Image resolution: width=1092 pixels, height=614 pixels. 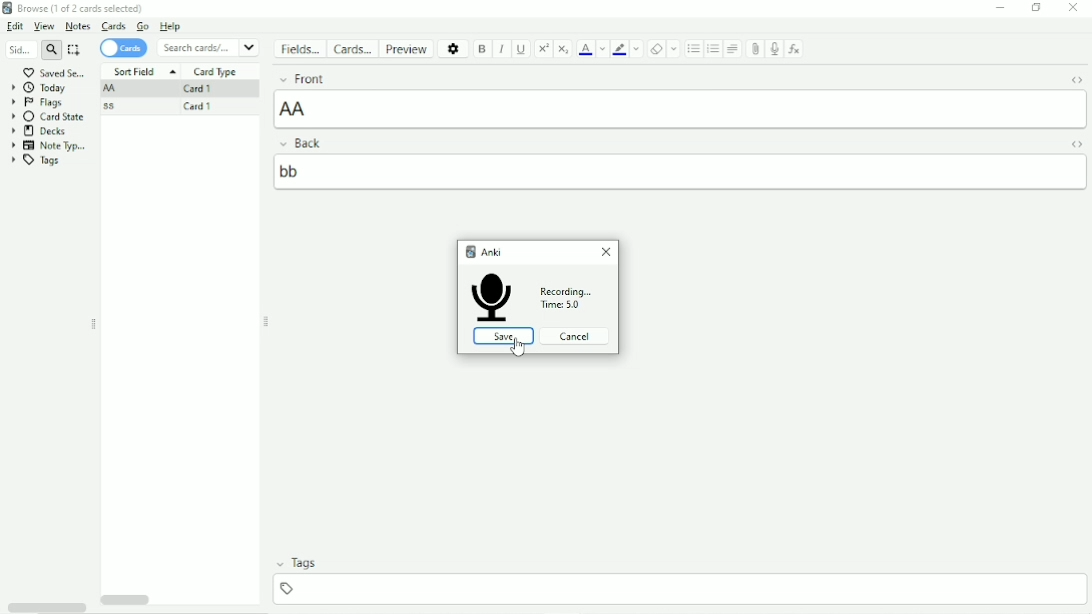 I want to click on AA, so click(x=110, y=89).